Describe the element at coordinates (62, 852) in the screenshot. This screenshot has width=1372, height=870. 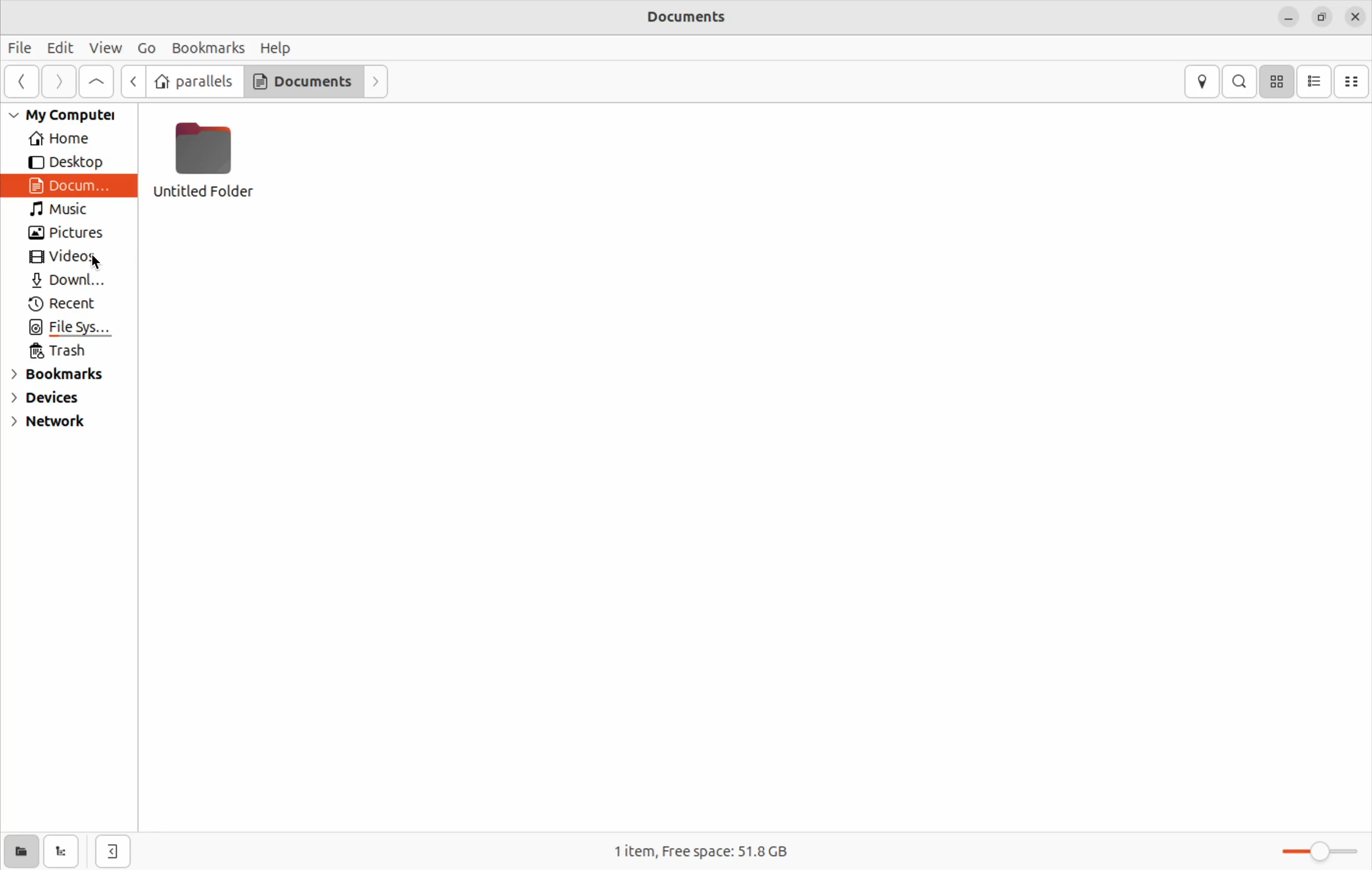
I see `show tree view` at that location.